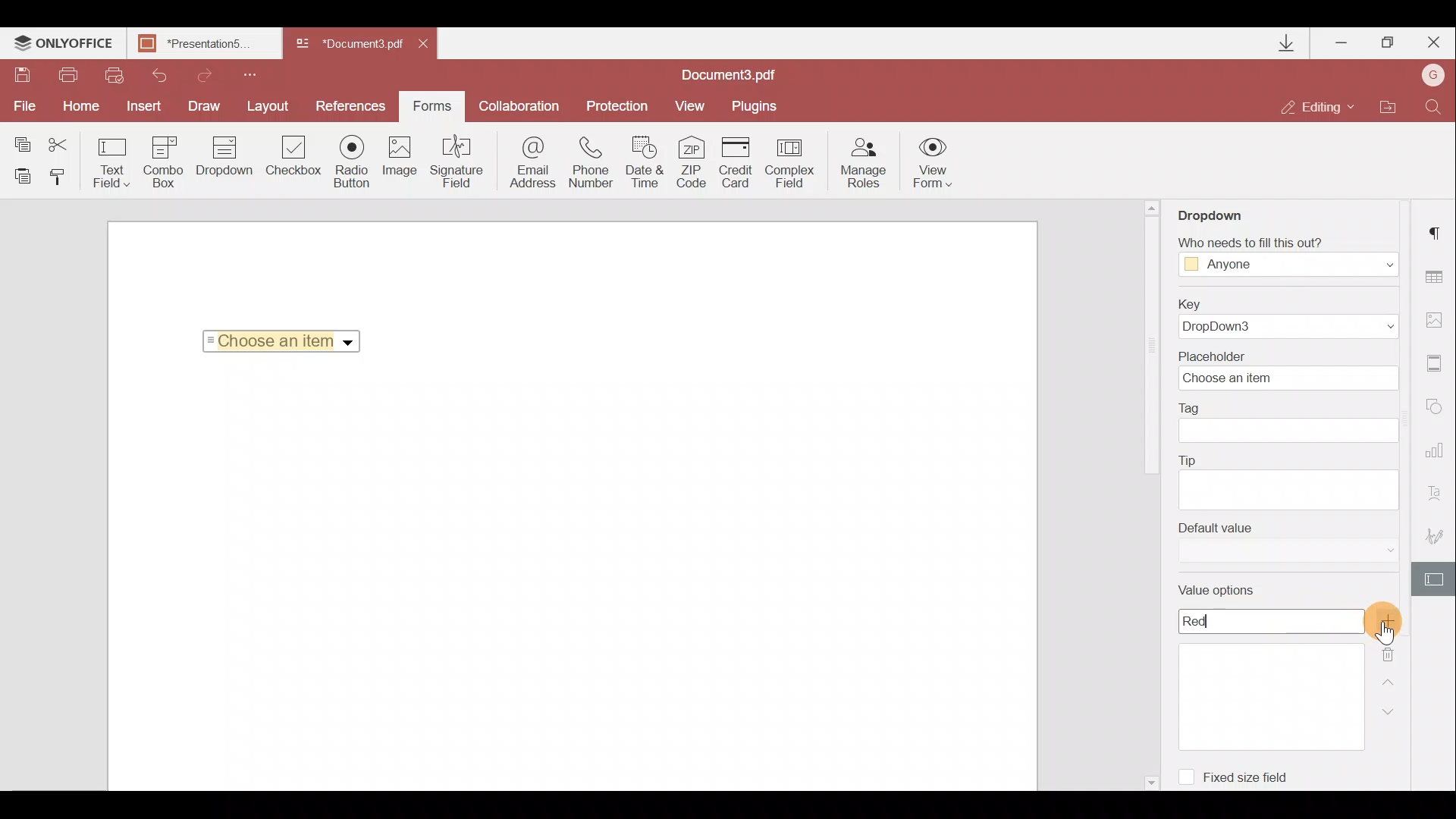 This screenshot has height=819, width=1456. I want to click on Save, so click(22, 75).